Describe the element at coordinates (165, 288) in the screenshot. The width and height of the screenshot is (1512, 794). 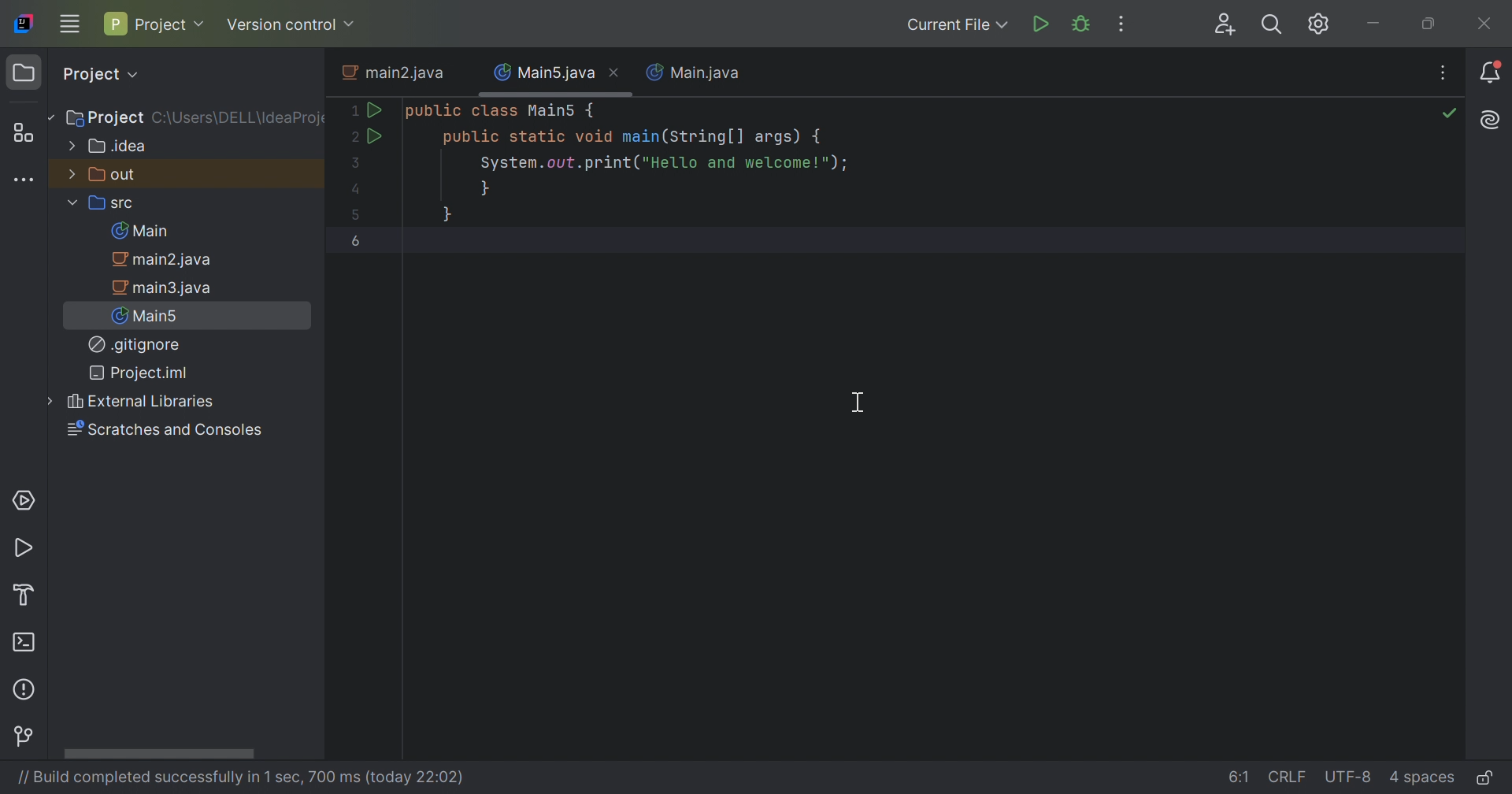
I see `main3.java` at that location.